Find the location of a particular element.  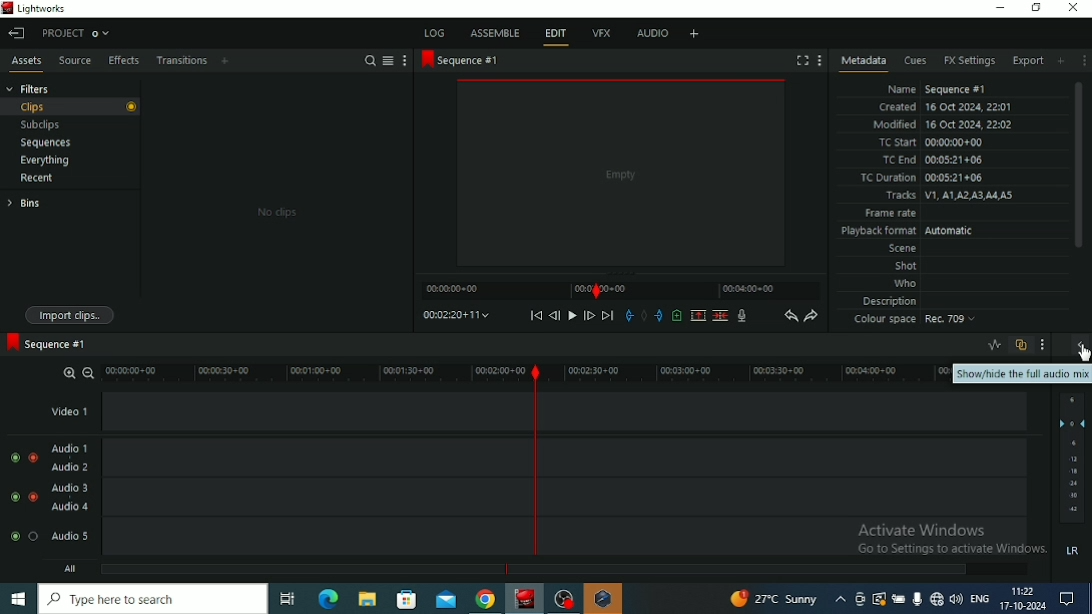

Toggle between list and tile view is located at coordinates (388, 60).